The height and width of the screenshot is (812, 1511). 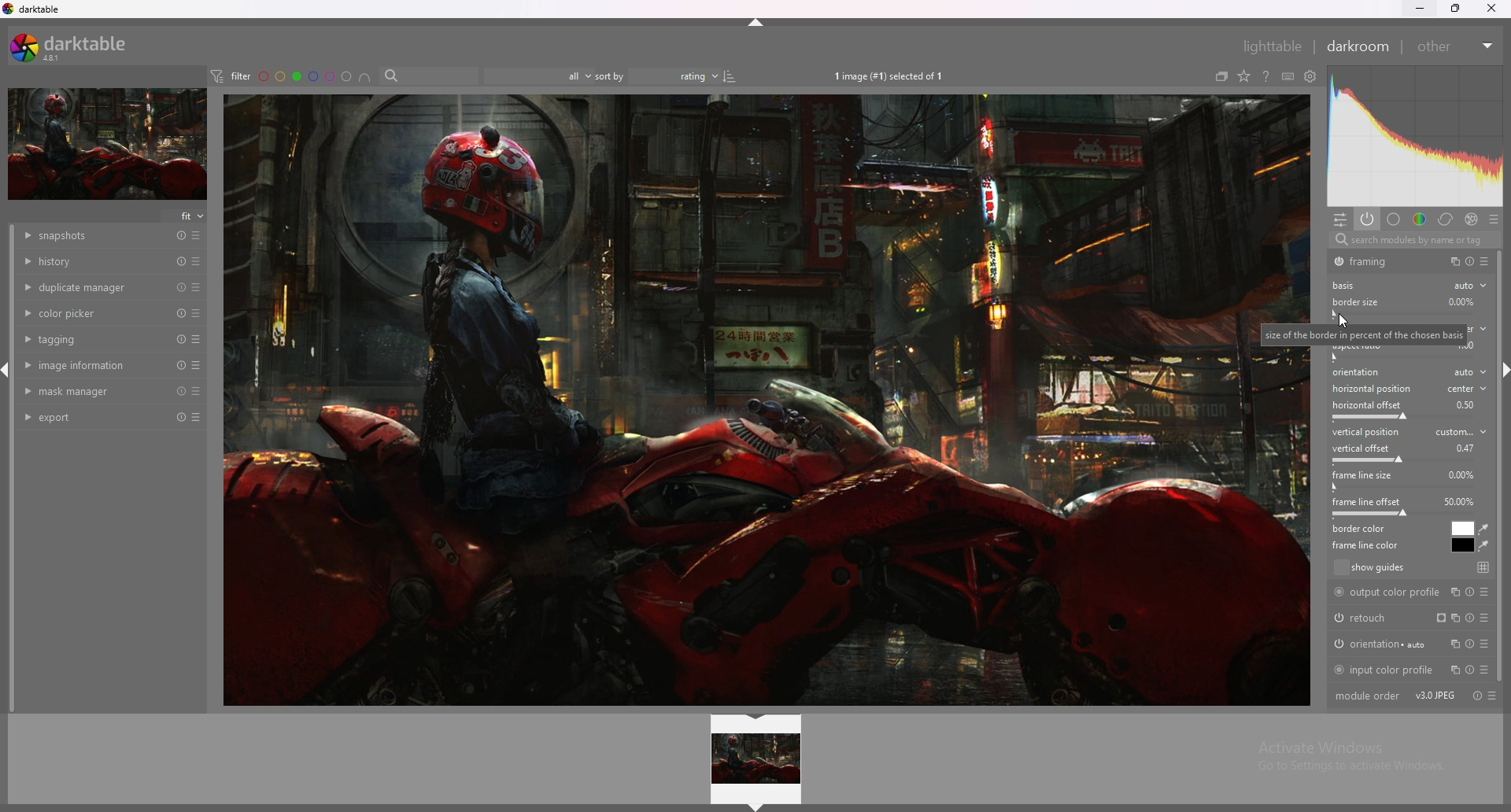 What do you see at coordinates (427, 75) in the screenshot?
I see `search bar` at bounding box center [427, 75].